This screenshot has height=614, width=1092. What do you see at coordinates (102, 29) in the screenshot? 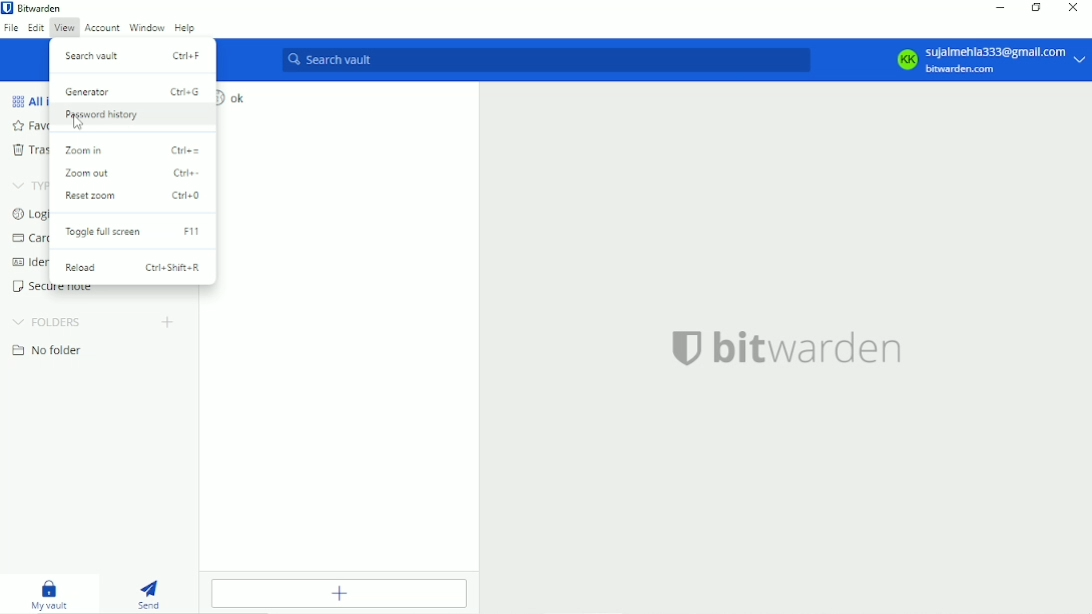
I see `Account` at bounding box center [102, 29].